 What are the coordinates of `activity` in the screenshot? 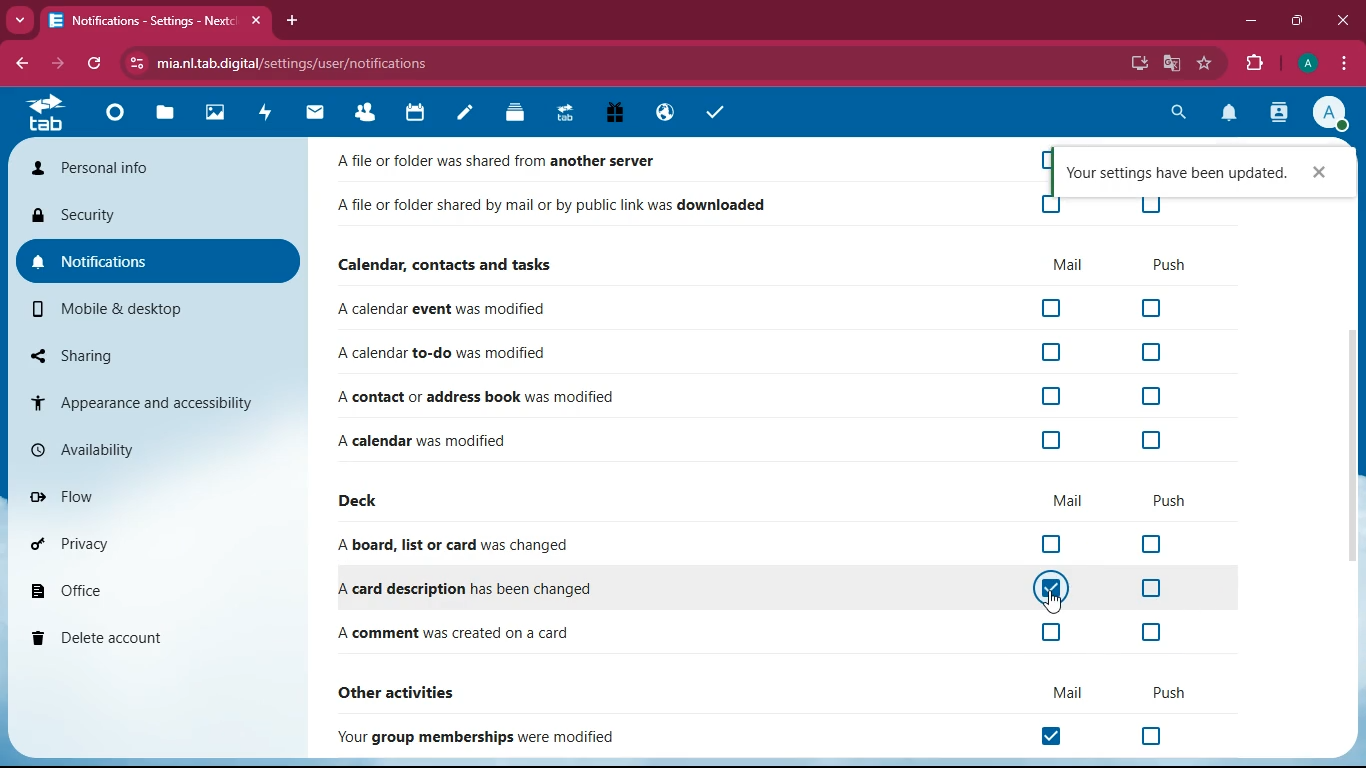 It's located at (267, 112).